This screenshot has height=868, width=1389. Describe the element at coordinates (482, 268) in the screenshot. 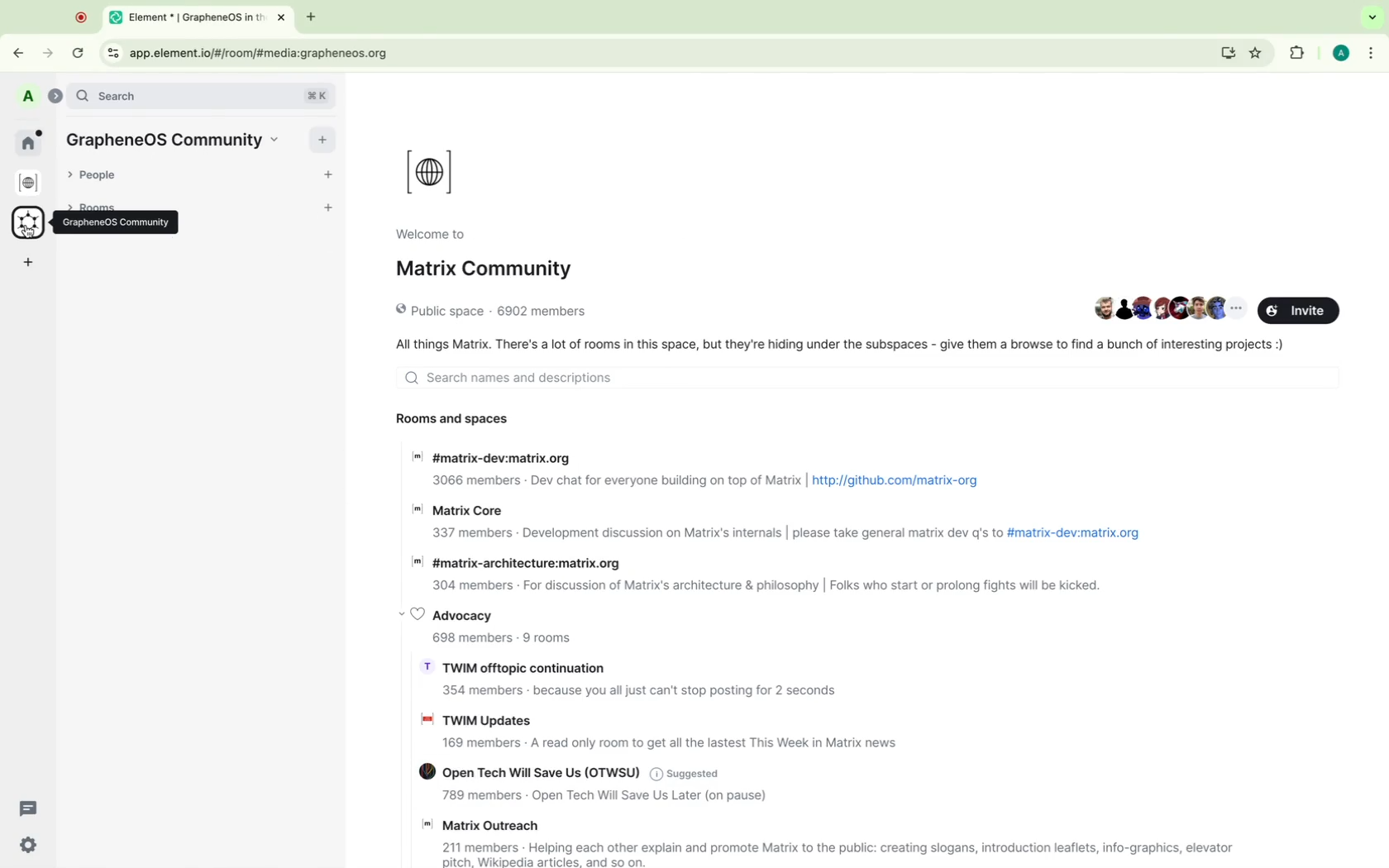

I see `matrix community` at that location.